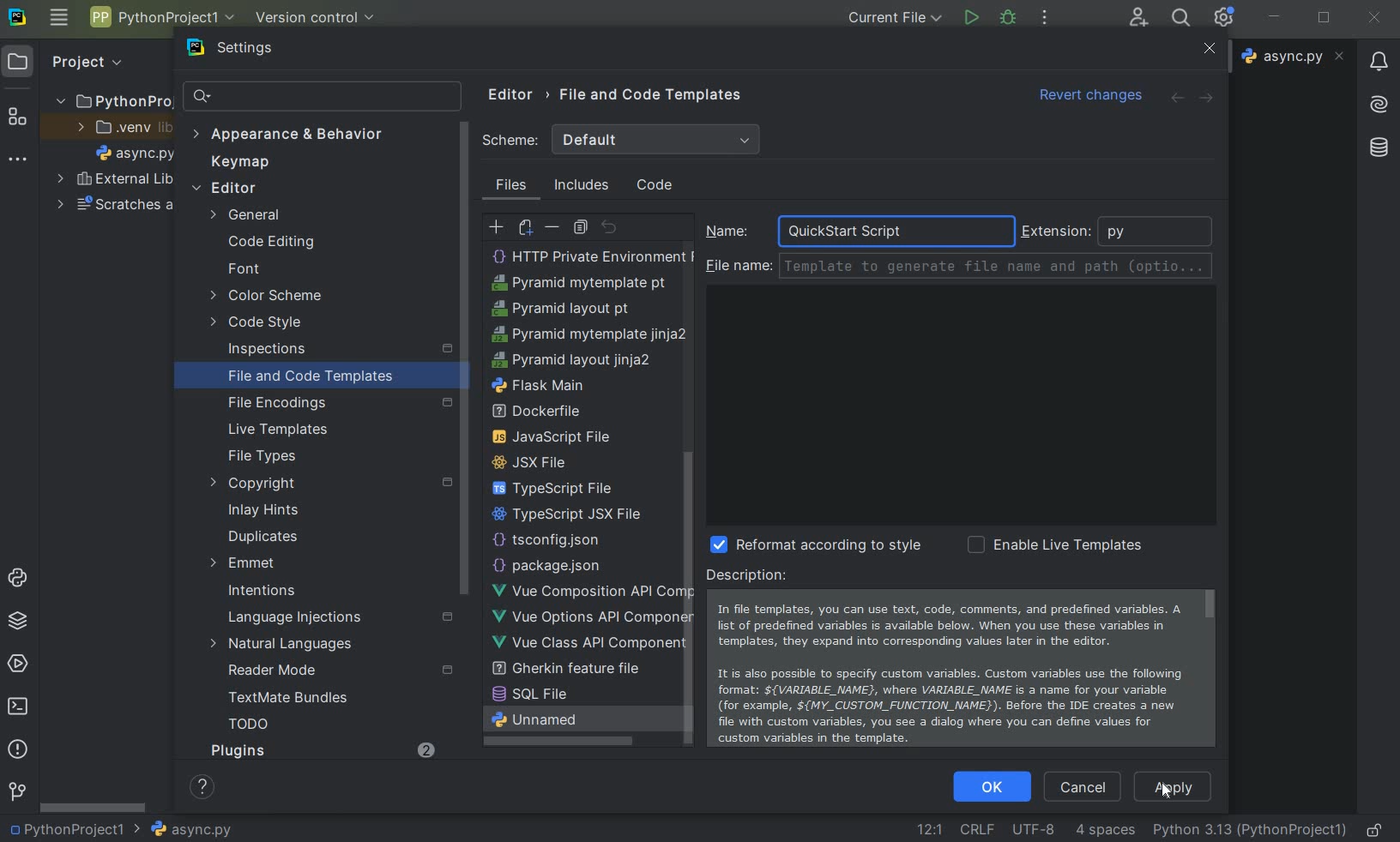 This screenshot has width=1400, height=842. Describe the element at coordinates (60, 18) in the screenshot. I see `main menu` at that location.